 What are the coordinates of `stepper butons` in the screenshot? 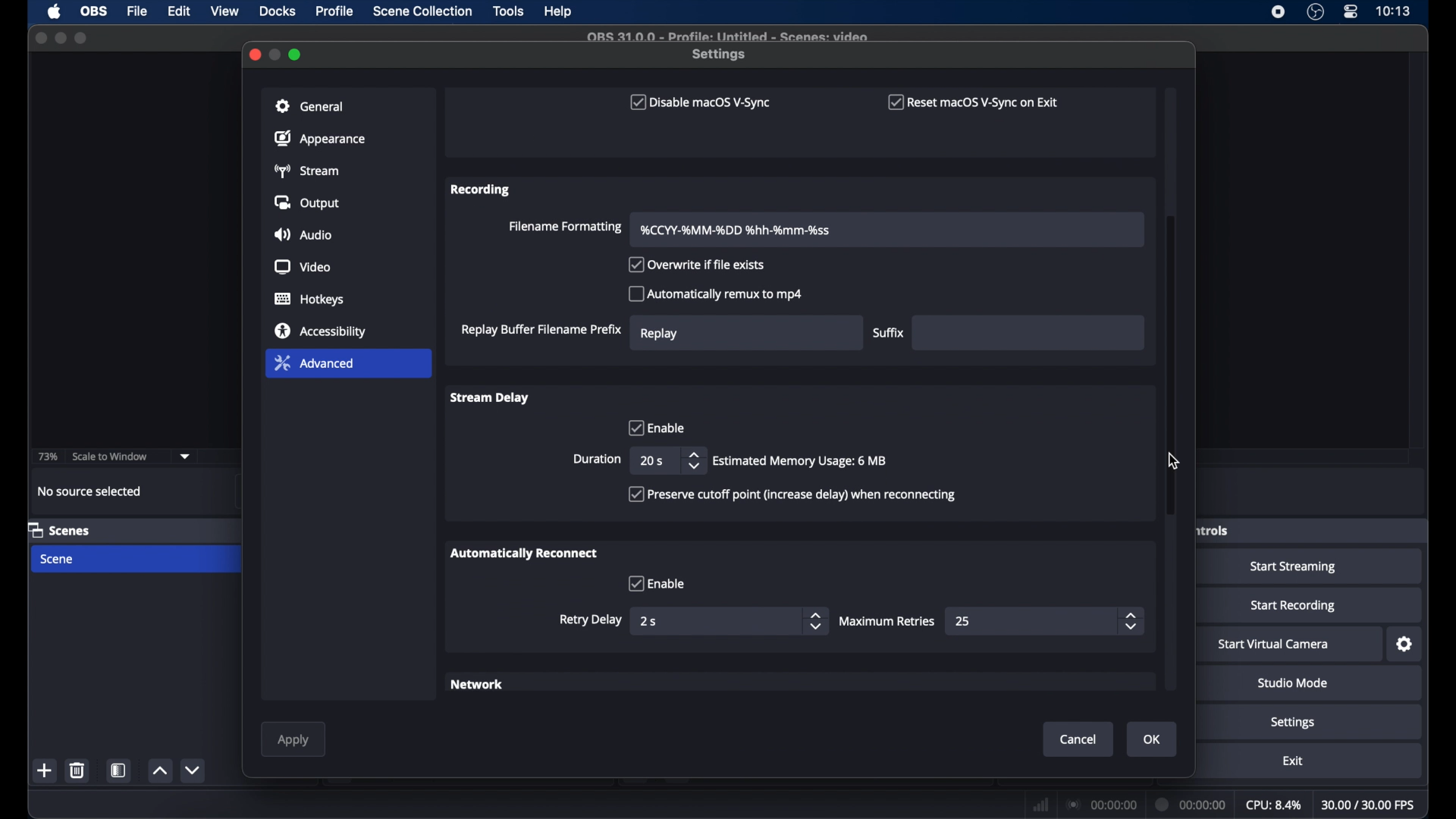 It's located at (1131, 621).